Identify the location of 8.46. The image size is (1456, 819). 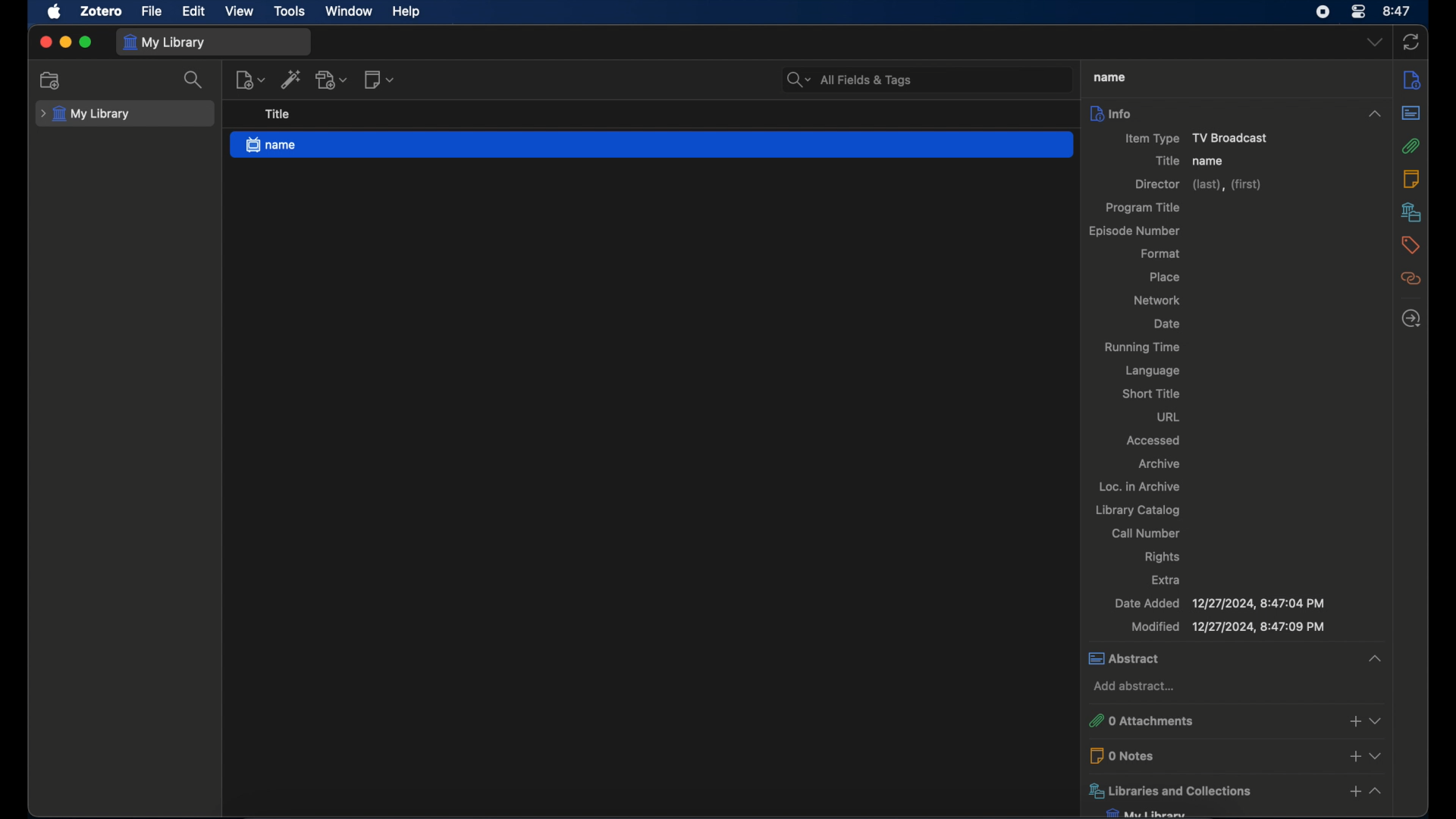
(1398, 11).